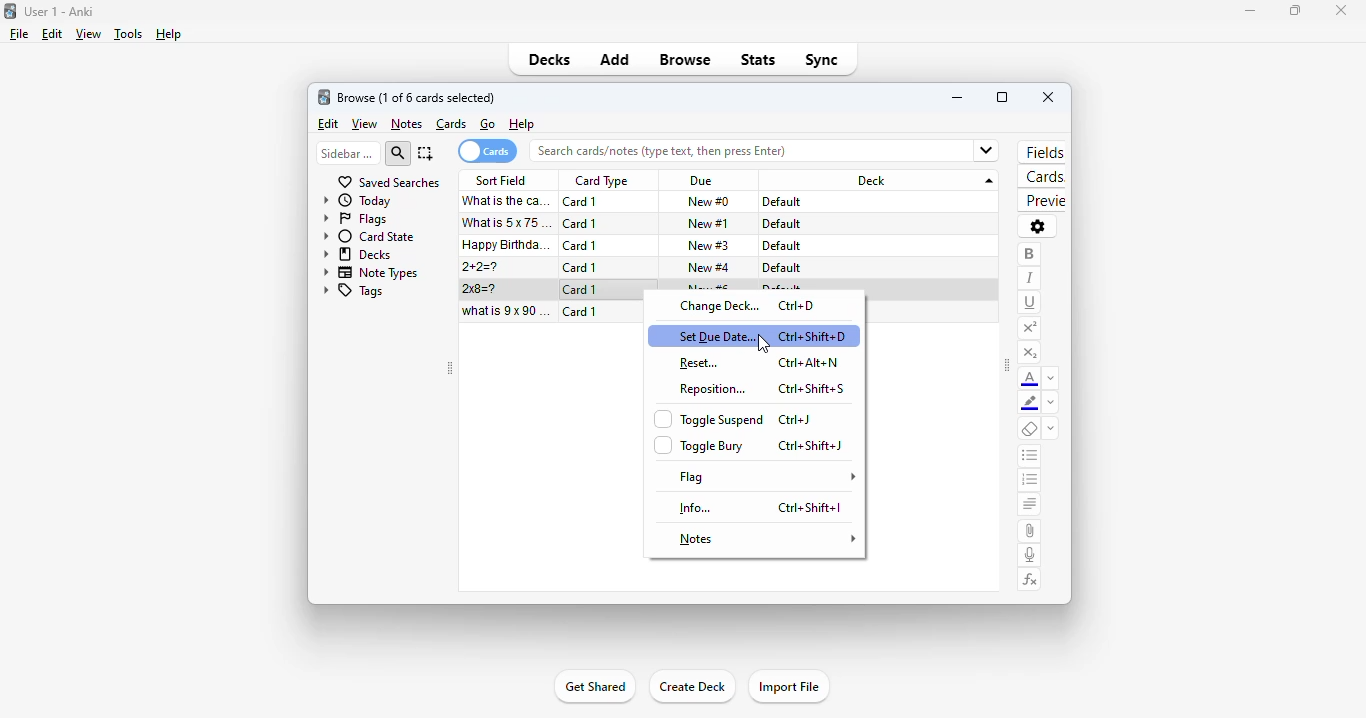 This screenshot has width=1366, height=718. Describe the element at coordinates (781, 268) in the screenshot. I see `default` at that location.